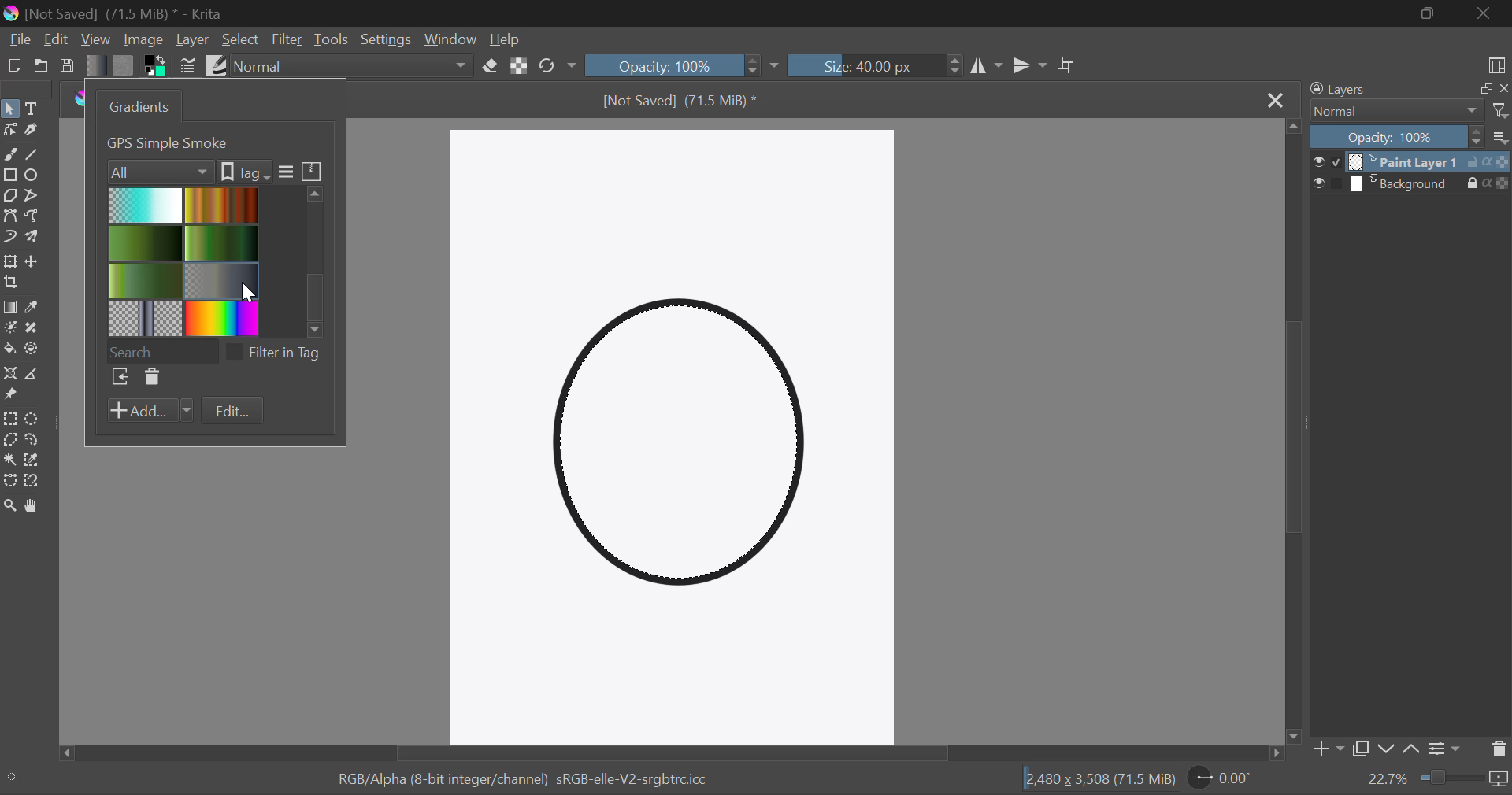 The image size is (1512, 795). Describe the element at coordinates (1430, 14) in the screenshot. I see `Minimize` at that location.